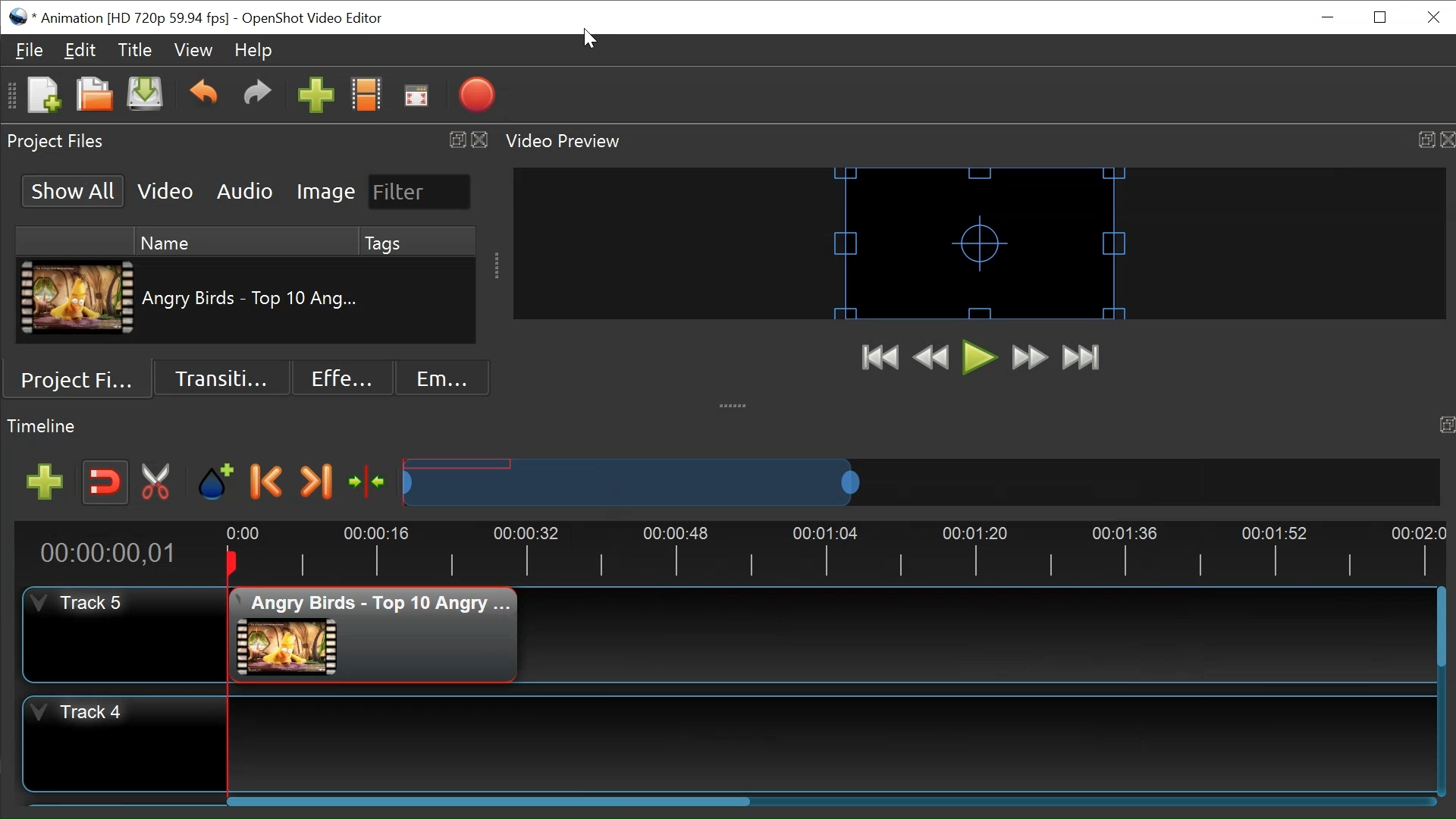  What do you see at coordinates (71, 190) in the screenshot?
I see `Show All` at bounding box center [71, 190].